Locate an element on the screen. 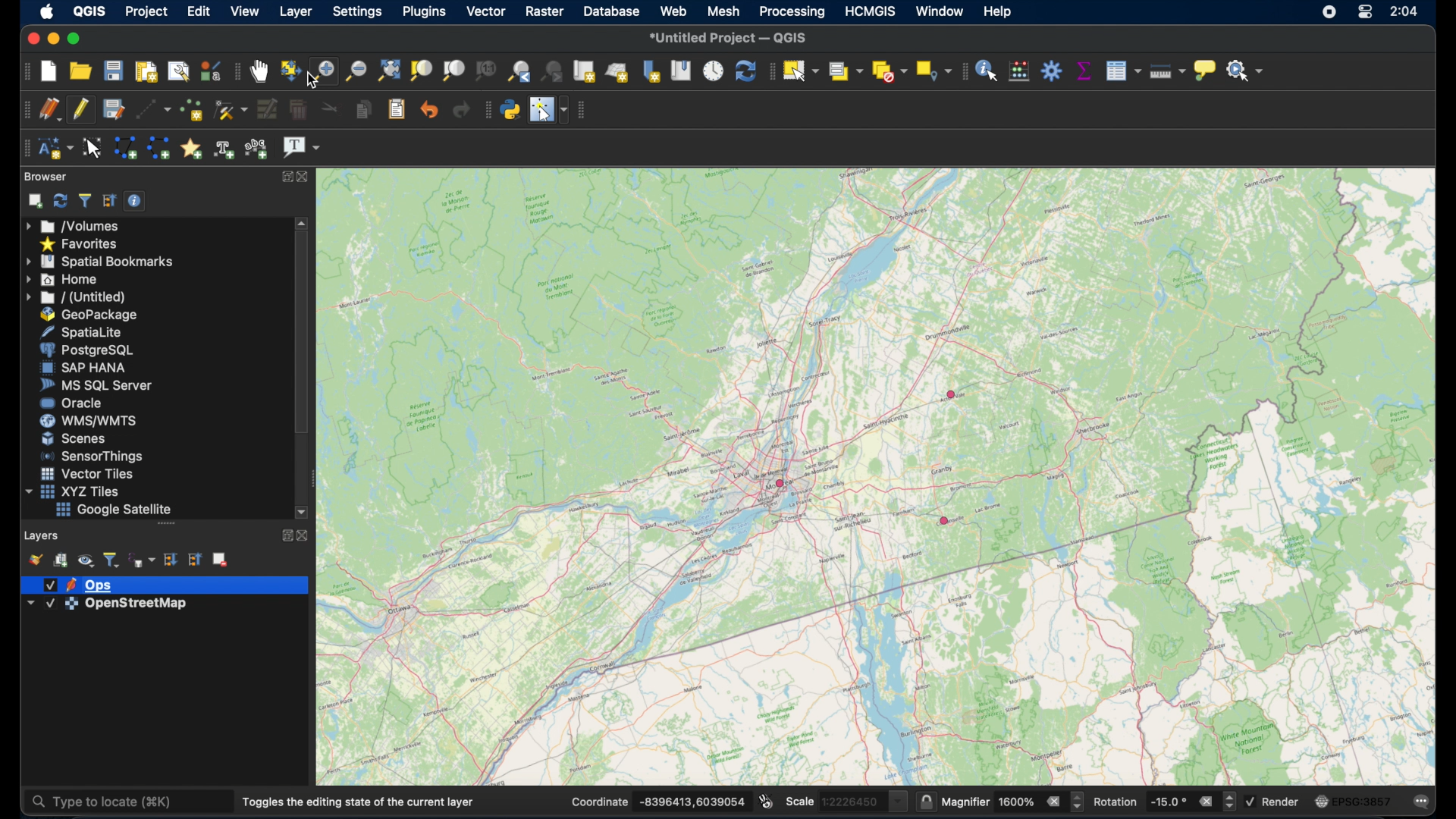  point feature is located at coordinates (950, 394).